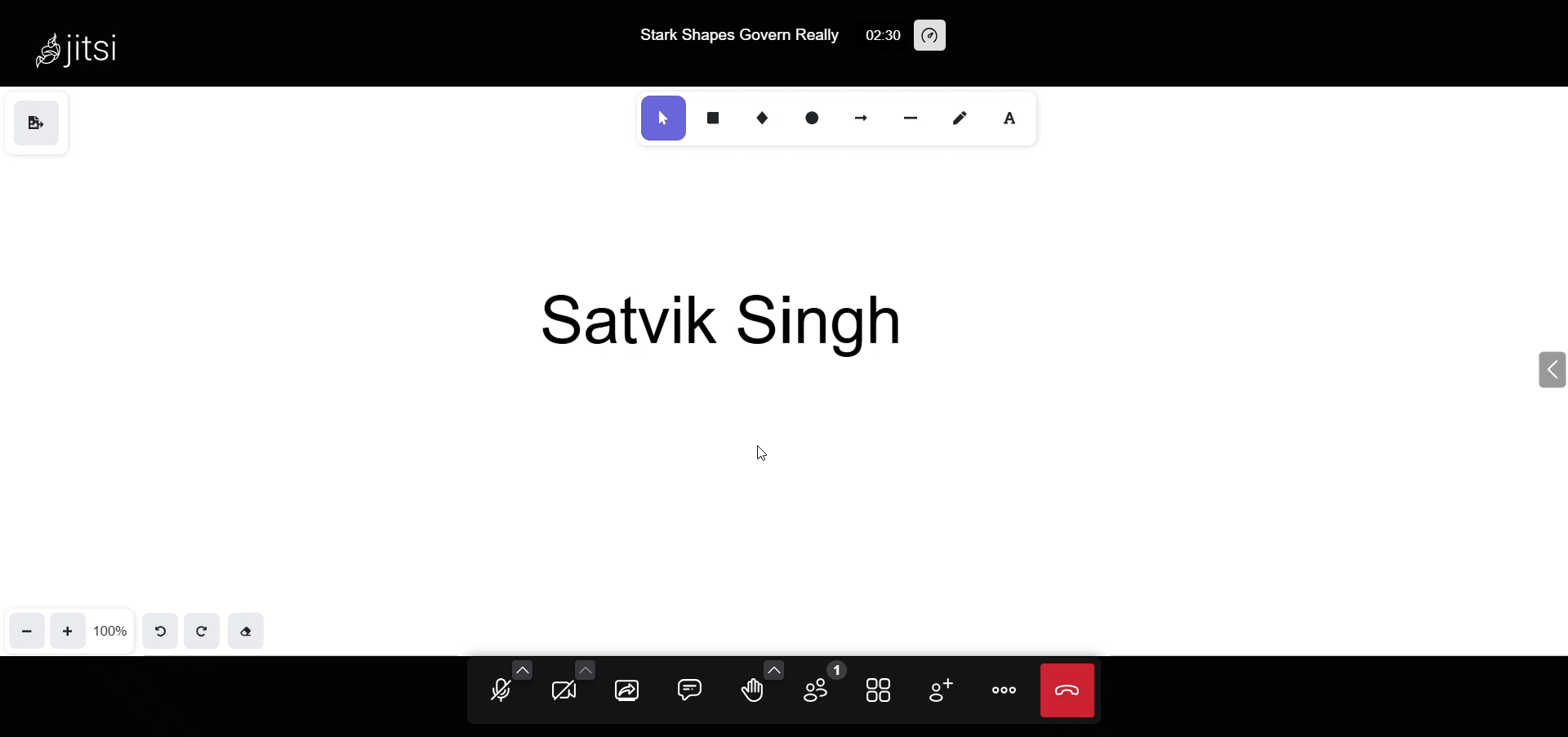 Image resolution: width=1568 pixels, height=737 pixels. Describe the element at coordinates (246, 629) in the screenshot. I see `eraser` at that location.